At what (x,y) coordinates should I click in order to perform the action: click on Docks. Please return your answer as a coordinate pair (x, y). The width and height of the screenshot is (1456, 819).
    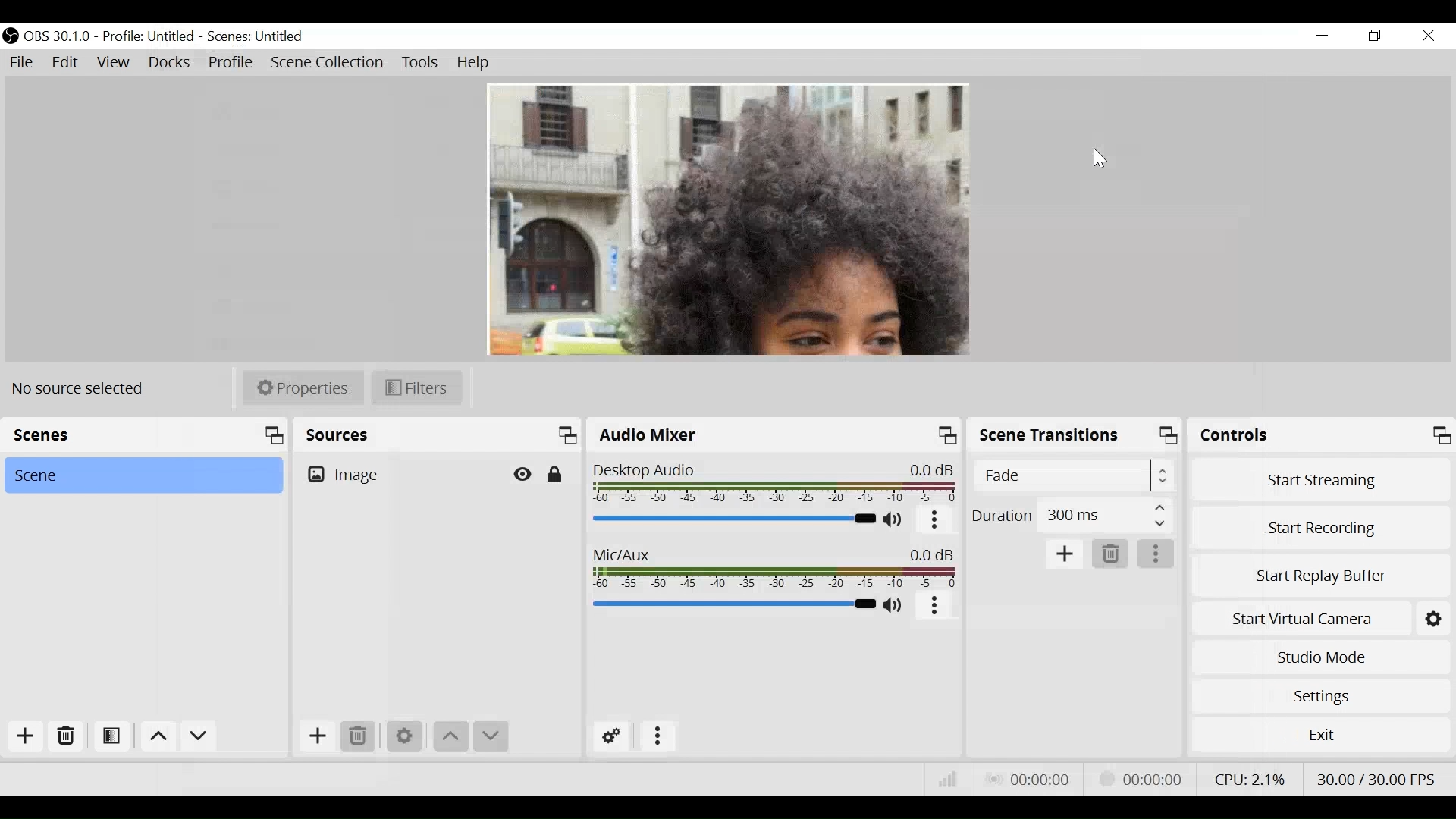
    Looking at the image, I should click on (168, 63).